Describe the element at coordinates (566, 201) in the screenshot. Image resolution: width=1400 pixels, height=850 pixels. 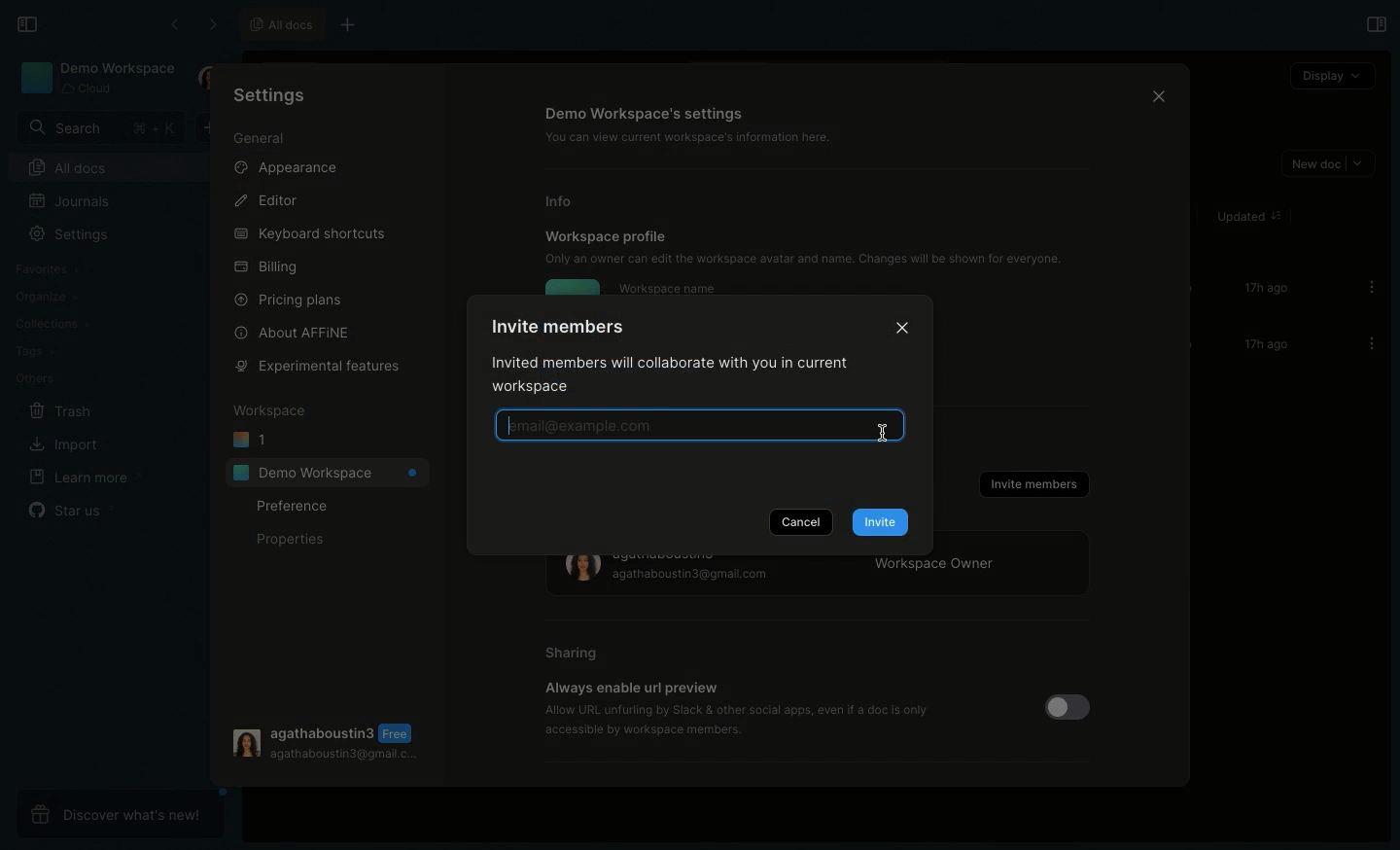
I see `Info` at that location.